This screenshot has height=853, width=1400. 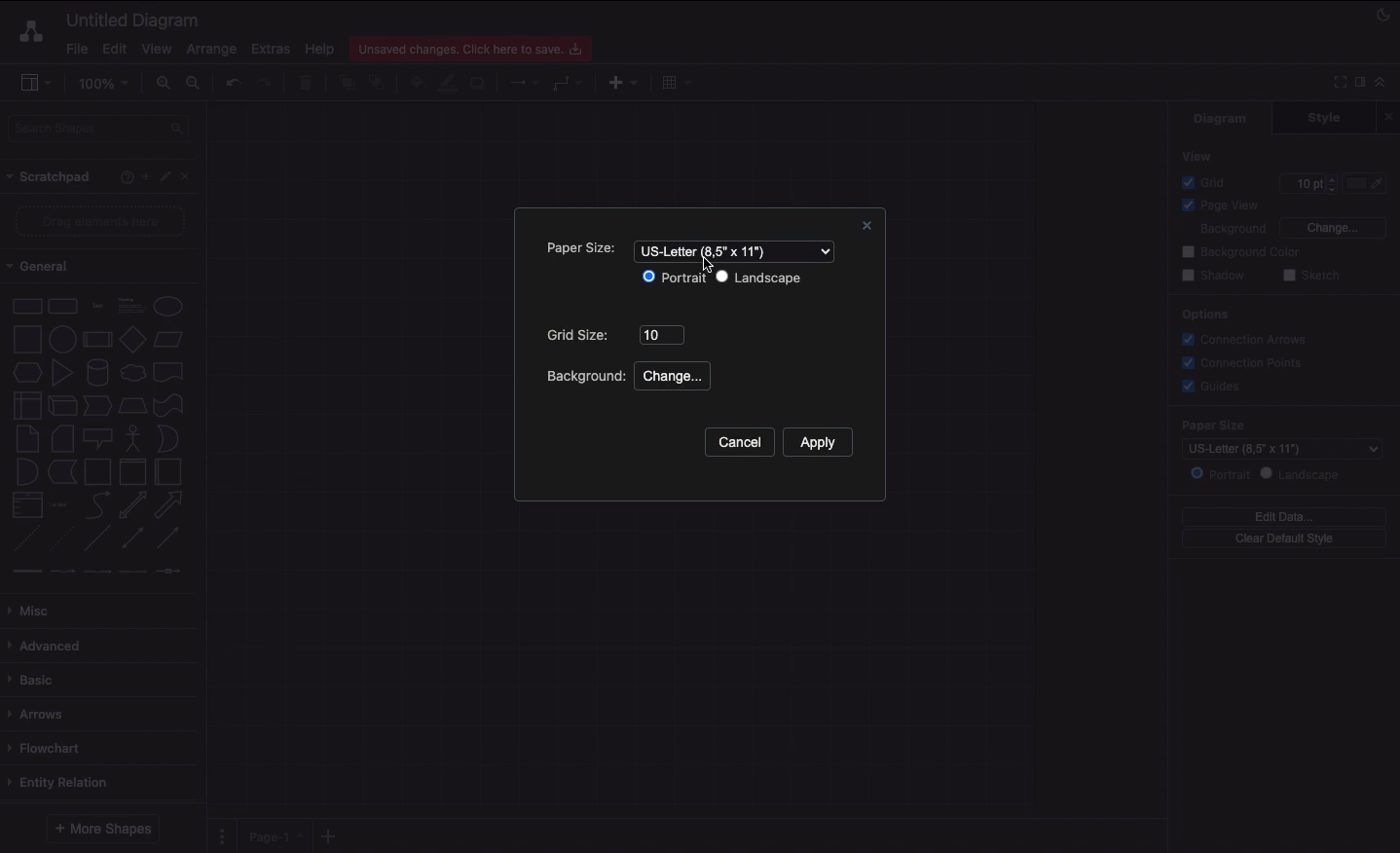 I want to click on Rounded rectangle, so click(x=63, y=305).